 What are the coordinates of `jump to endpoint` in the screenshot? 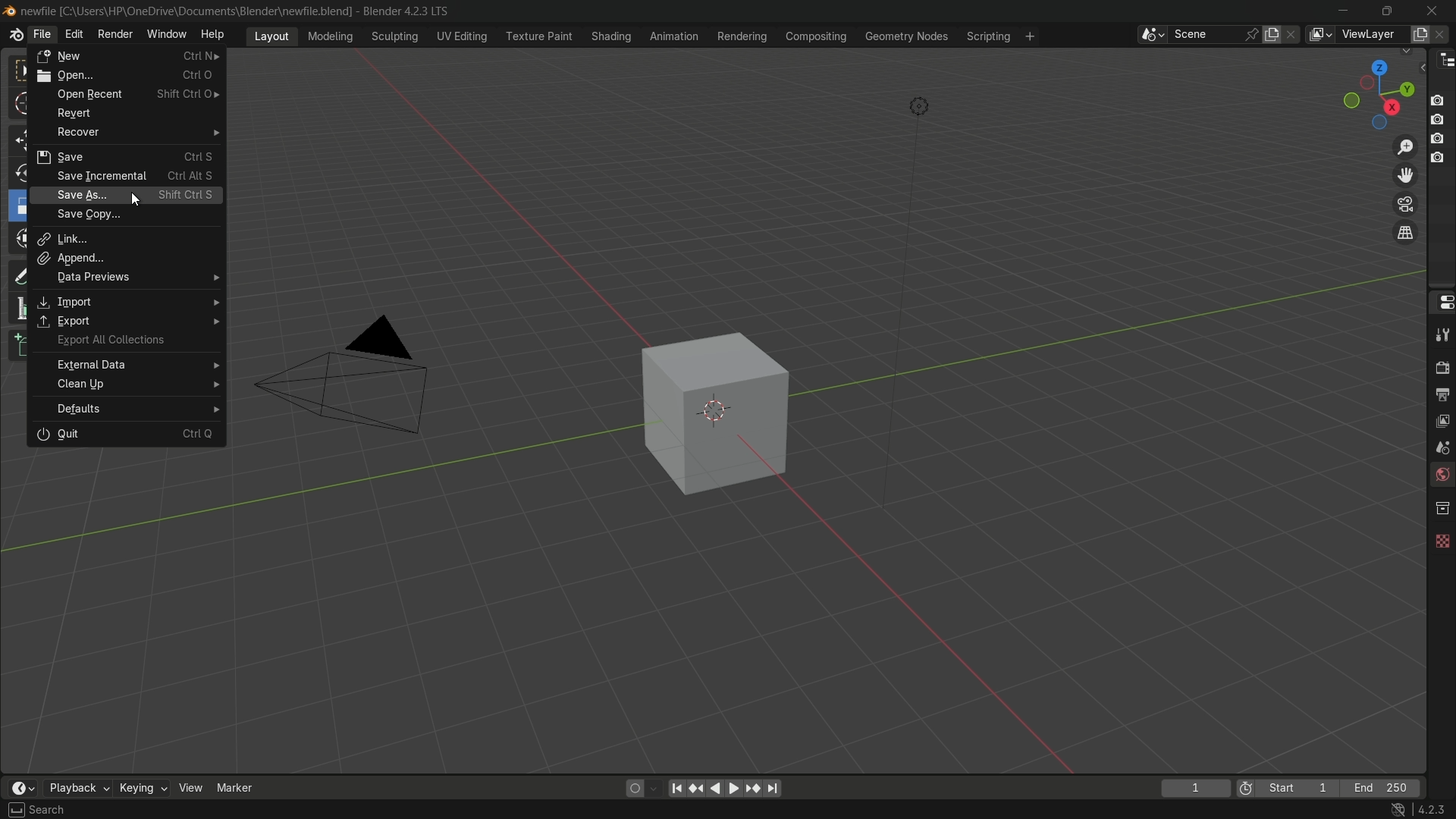 It's located at (773, 789).